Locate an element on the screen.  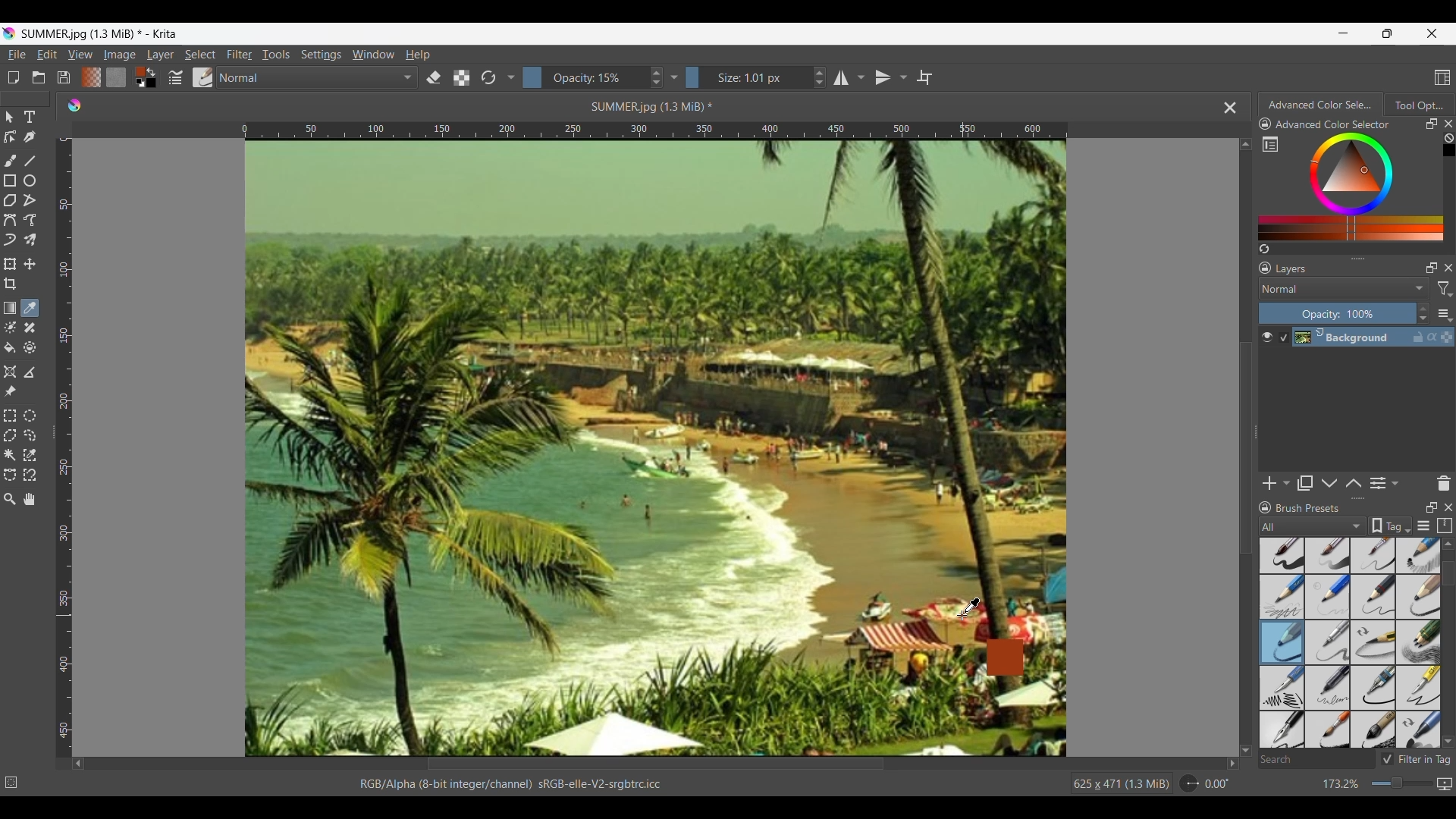
Lock docker is located at coordinates (1264, 268).